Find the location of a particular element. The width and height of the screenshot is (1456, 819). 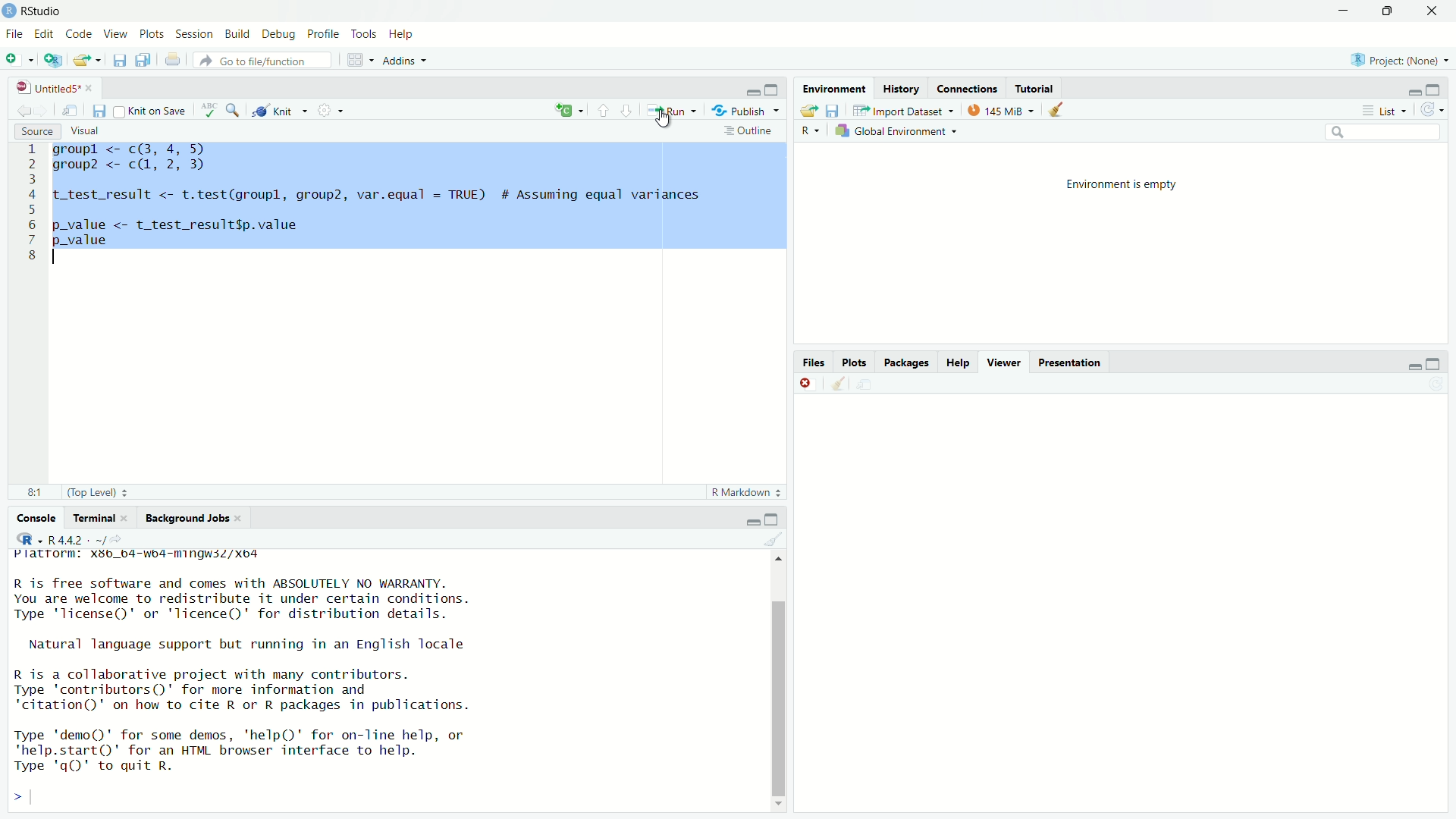

© 145MiB ~ is located at coordinates (999, 110).